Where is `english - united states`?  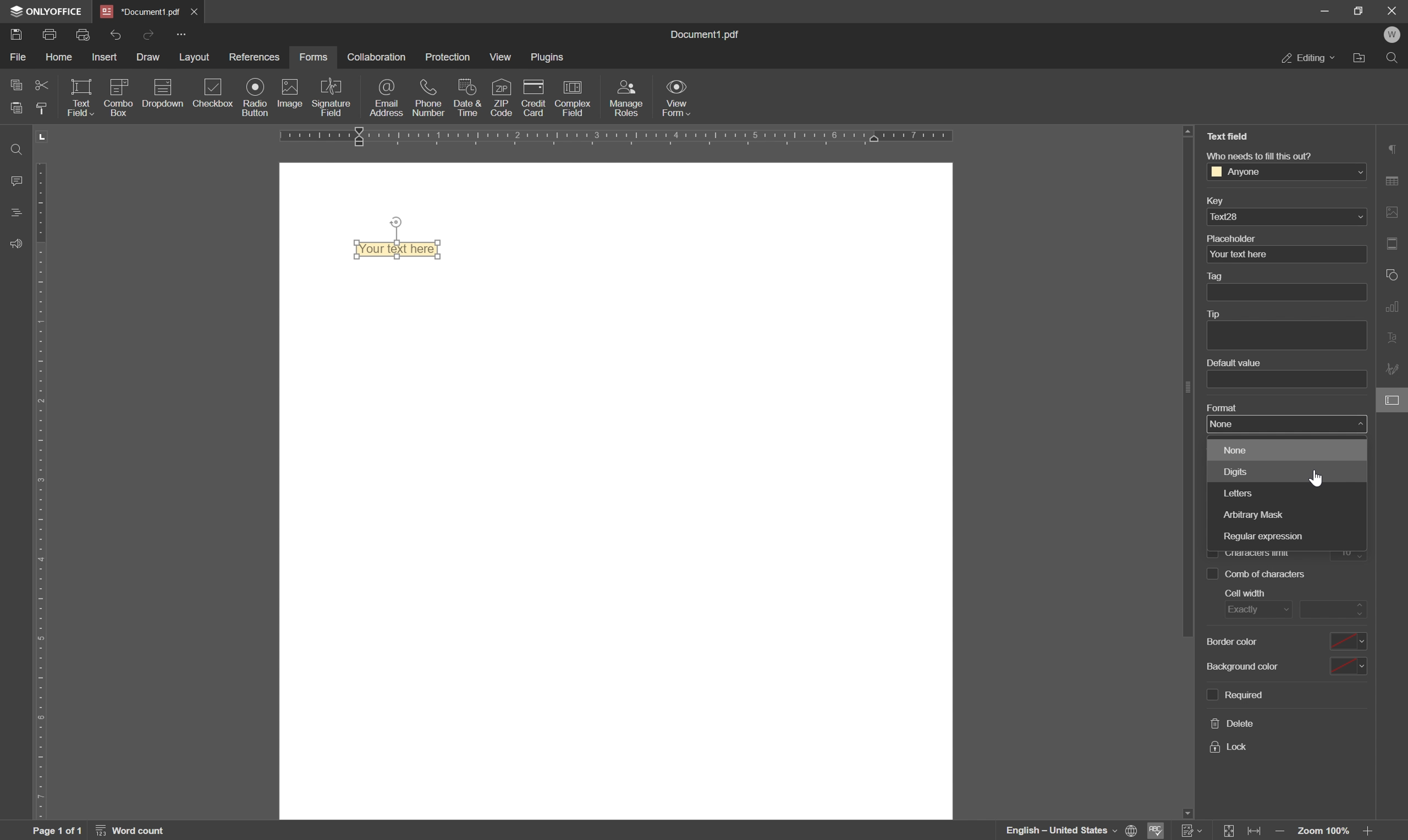 english - united states is located at coordinates (1061, 830).